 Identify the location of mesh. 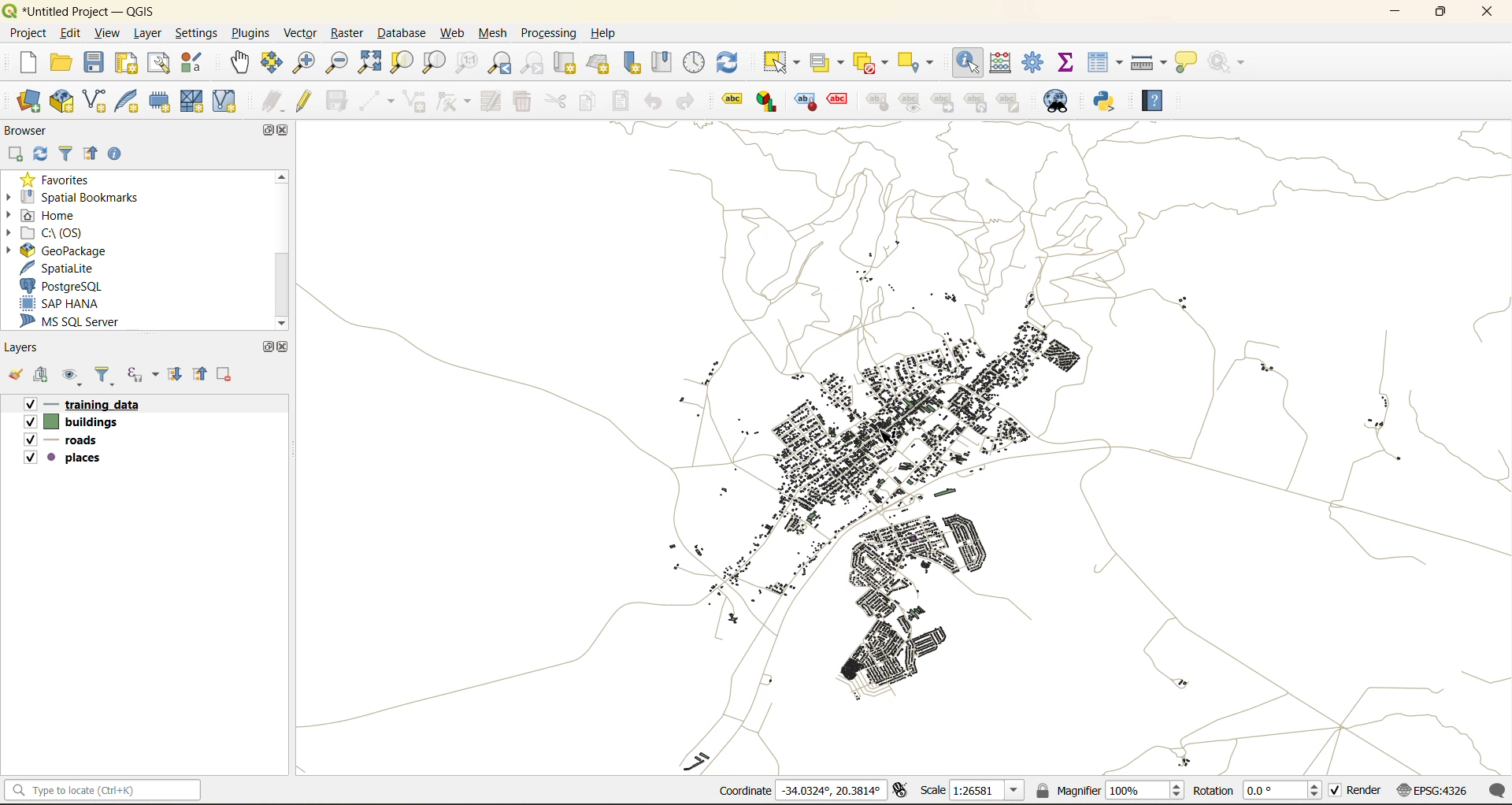
(495, 33).